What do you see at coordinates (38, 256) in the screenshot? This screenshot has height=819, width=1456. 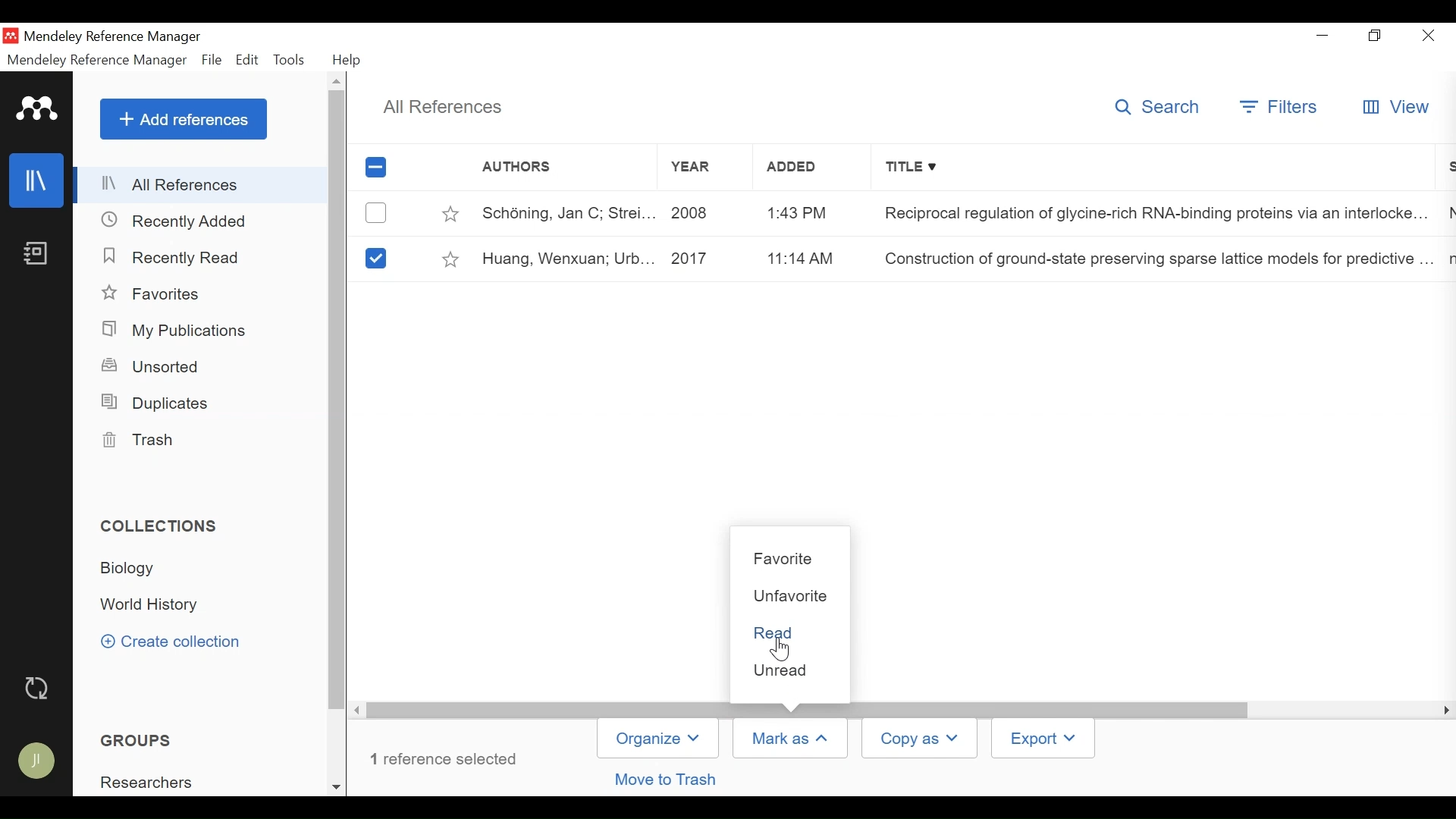 I see `Notebook` at bounding box center [38, 256].